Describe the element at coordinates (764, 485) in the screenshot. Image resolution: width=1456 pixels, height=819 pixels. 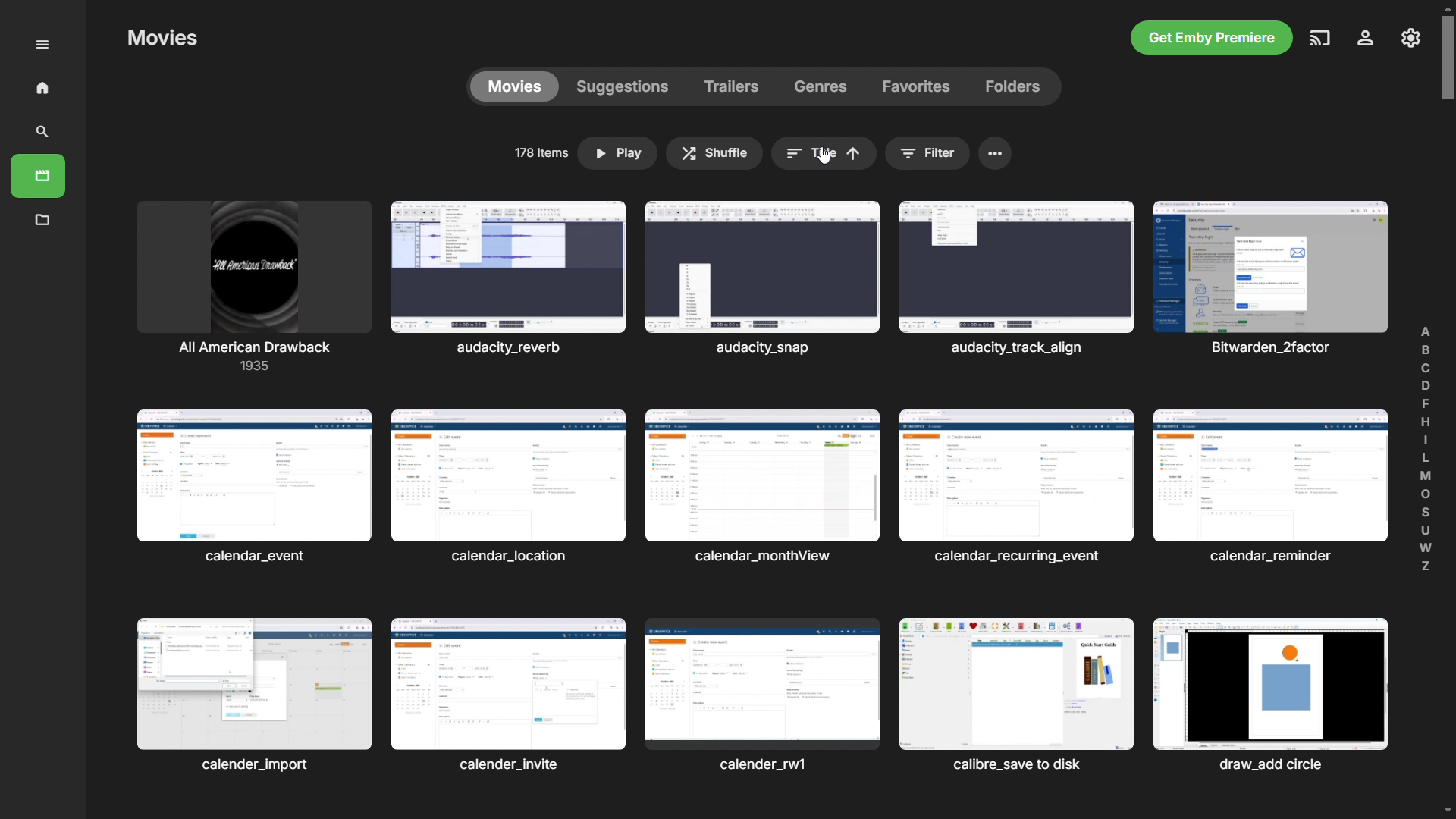
I see `` at that location.